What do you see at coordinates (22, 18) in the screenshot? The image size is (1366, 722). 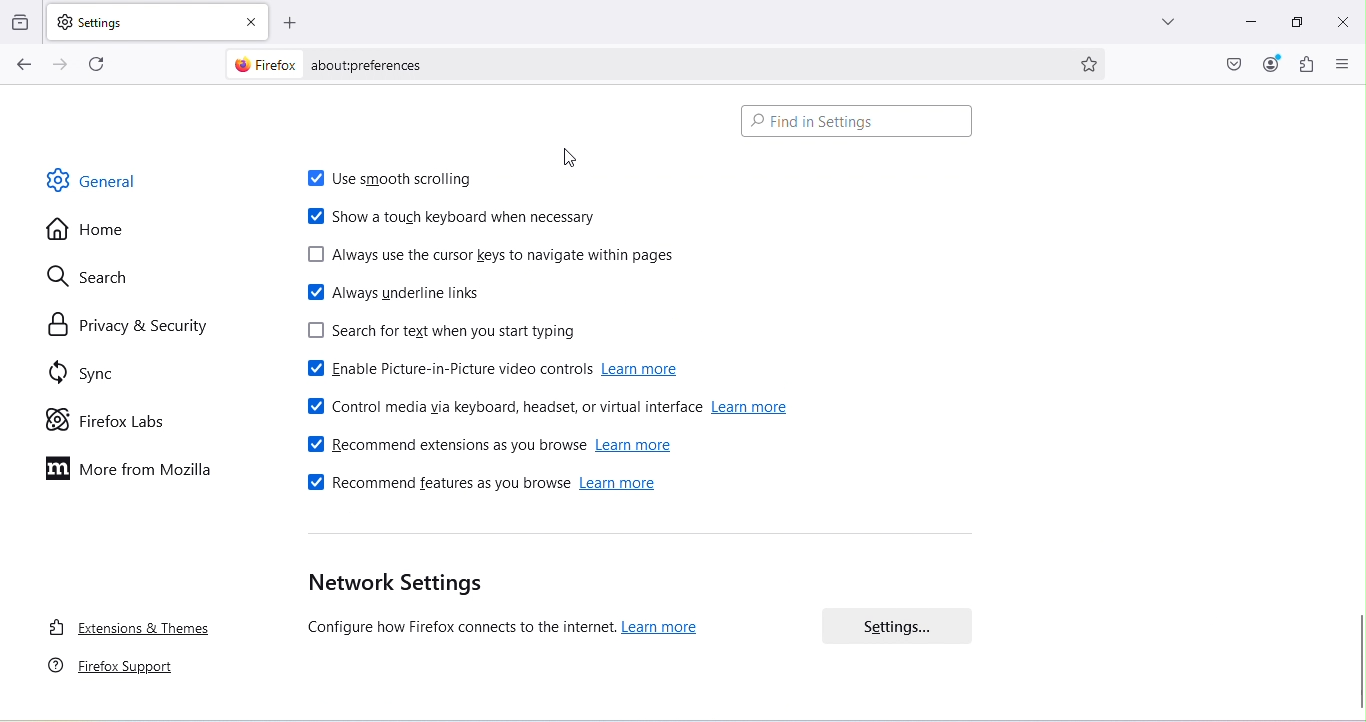 I see `View recent browsing across windows and devices` at bounding box center [22, 18].